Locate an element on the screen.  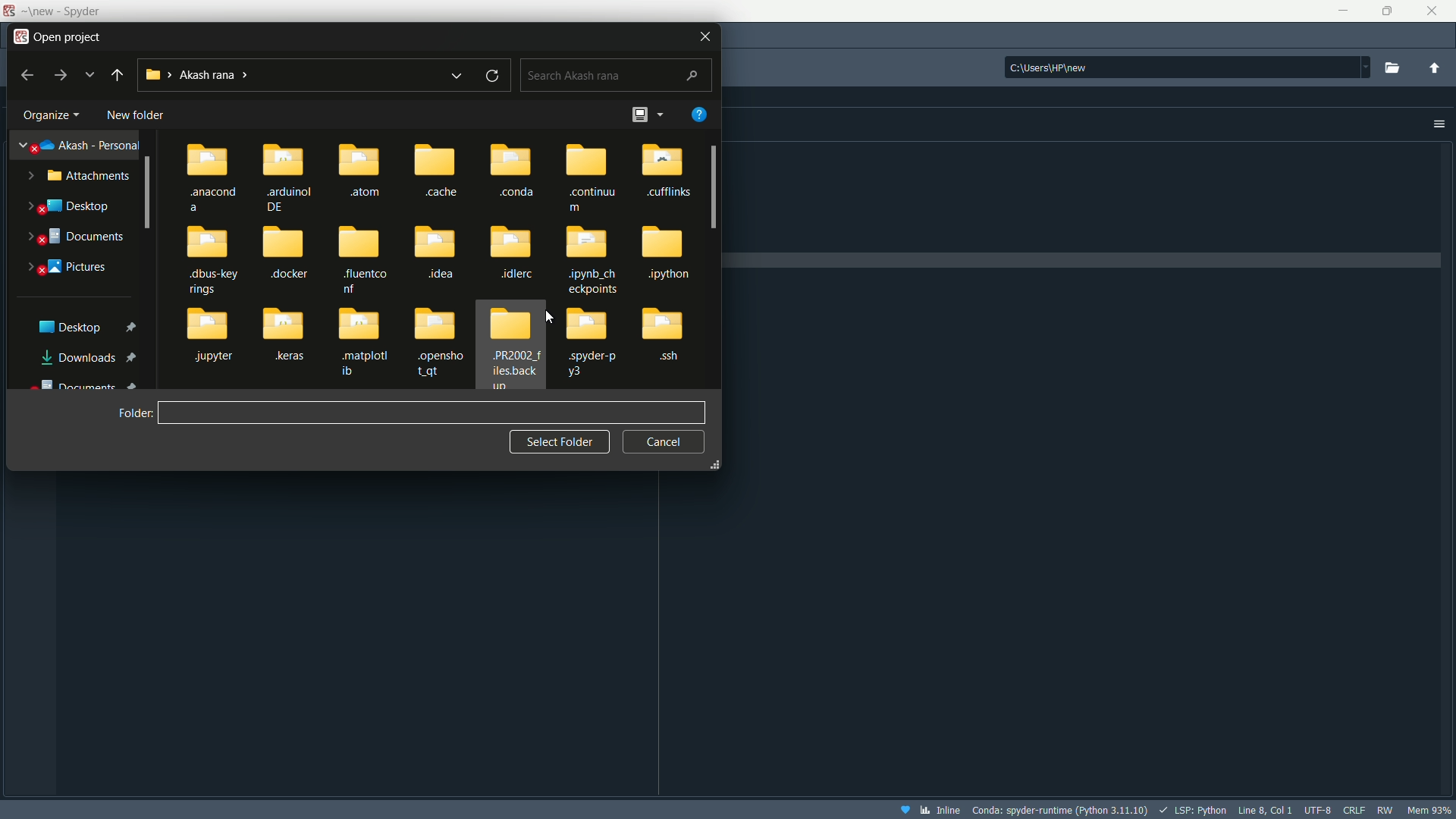
change view is located at coordinates (645, 114).